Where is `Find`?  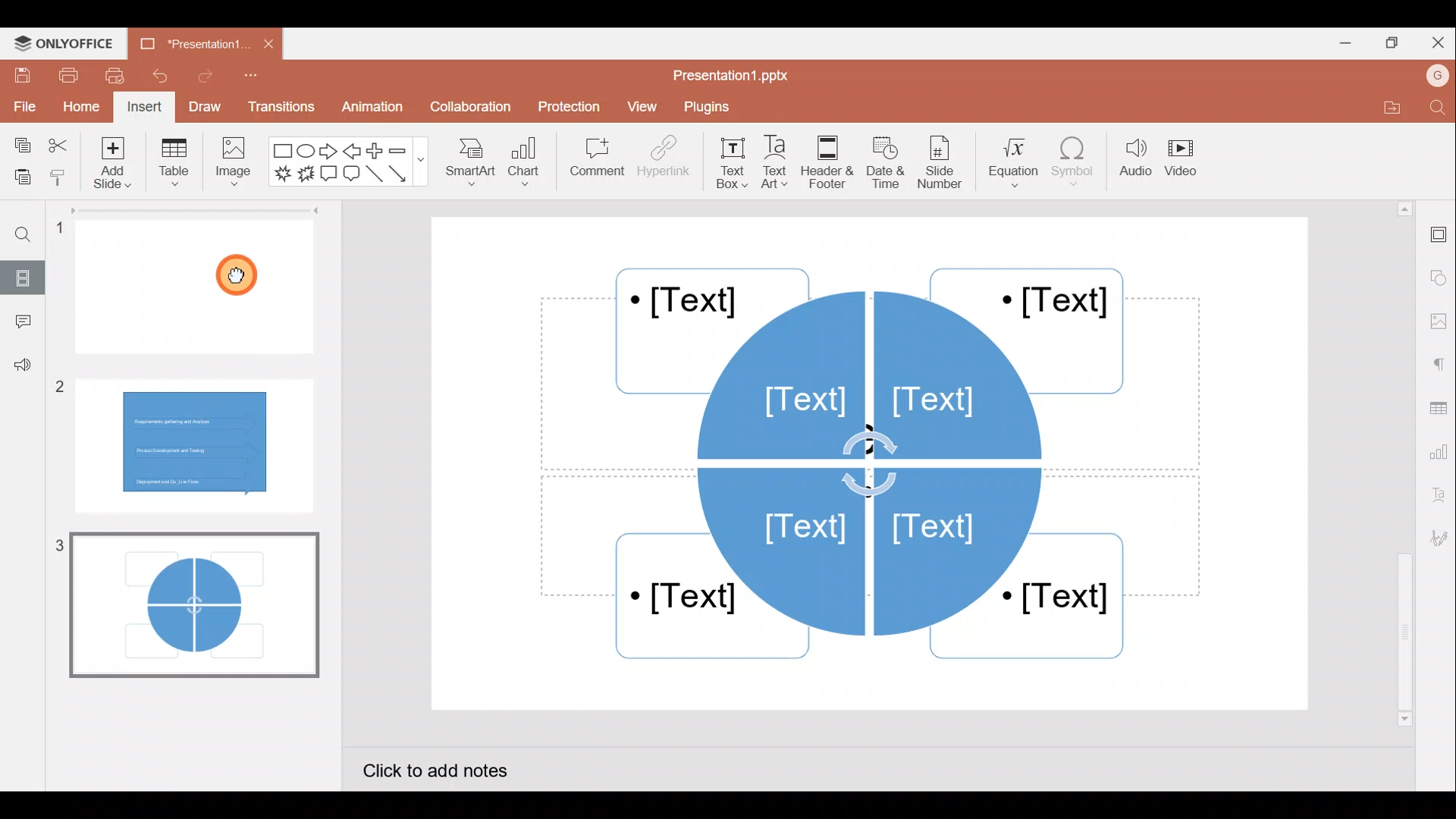 Find is located at coordinates (31, 237).